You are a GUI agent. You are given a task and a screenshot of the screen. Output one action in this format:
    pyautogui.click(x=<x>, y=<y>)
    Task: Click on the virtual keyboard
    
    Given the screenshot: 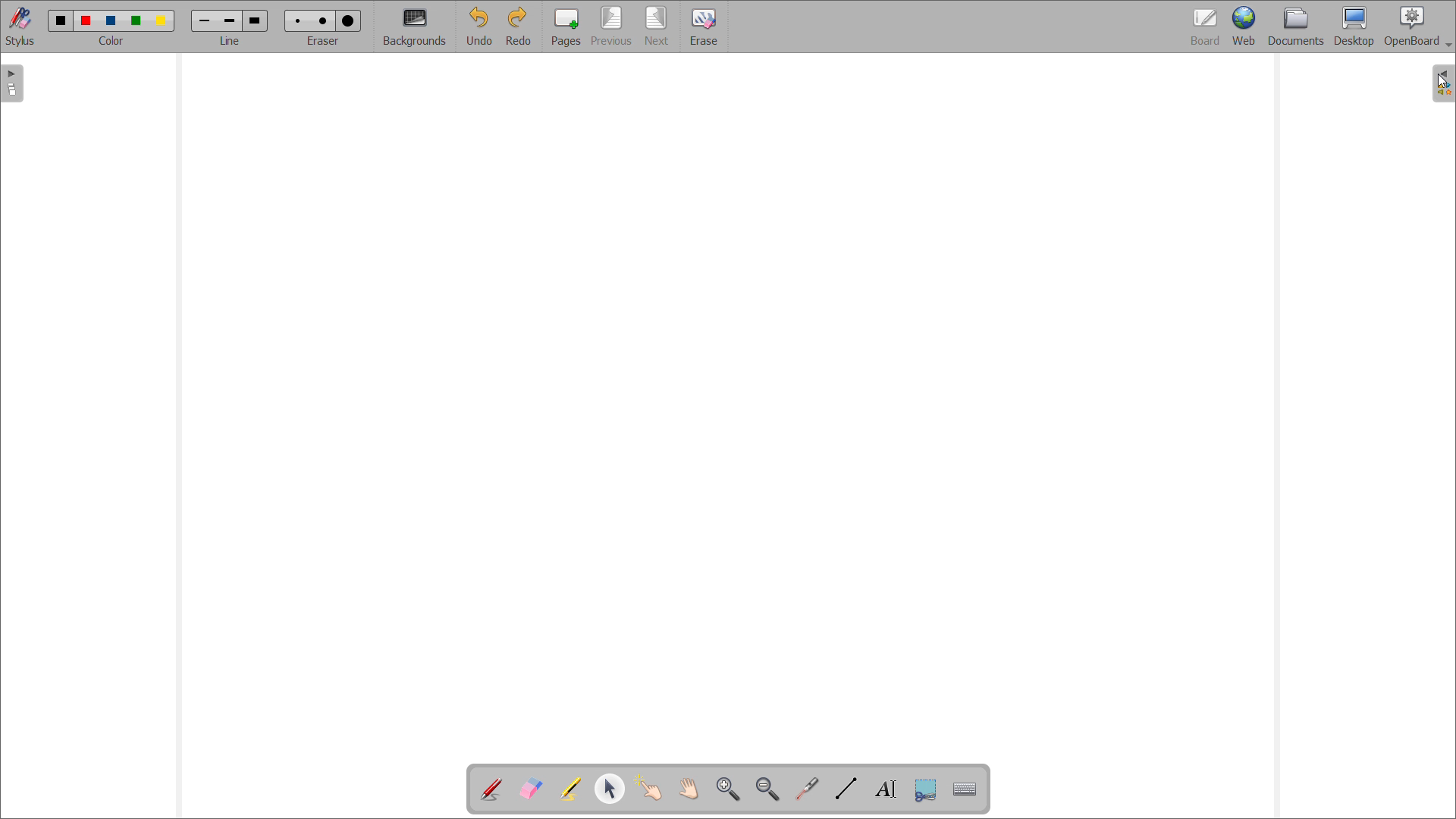 What is the action you would take?
    pyautogui.click(x=965, y=789)
    